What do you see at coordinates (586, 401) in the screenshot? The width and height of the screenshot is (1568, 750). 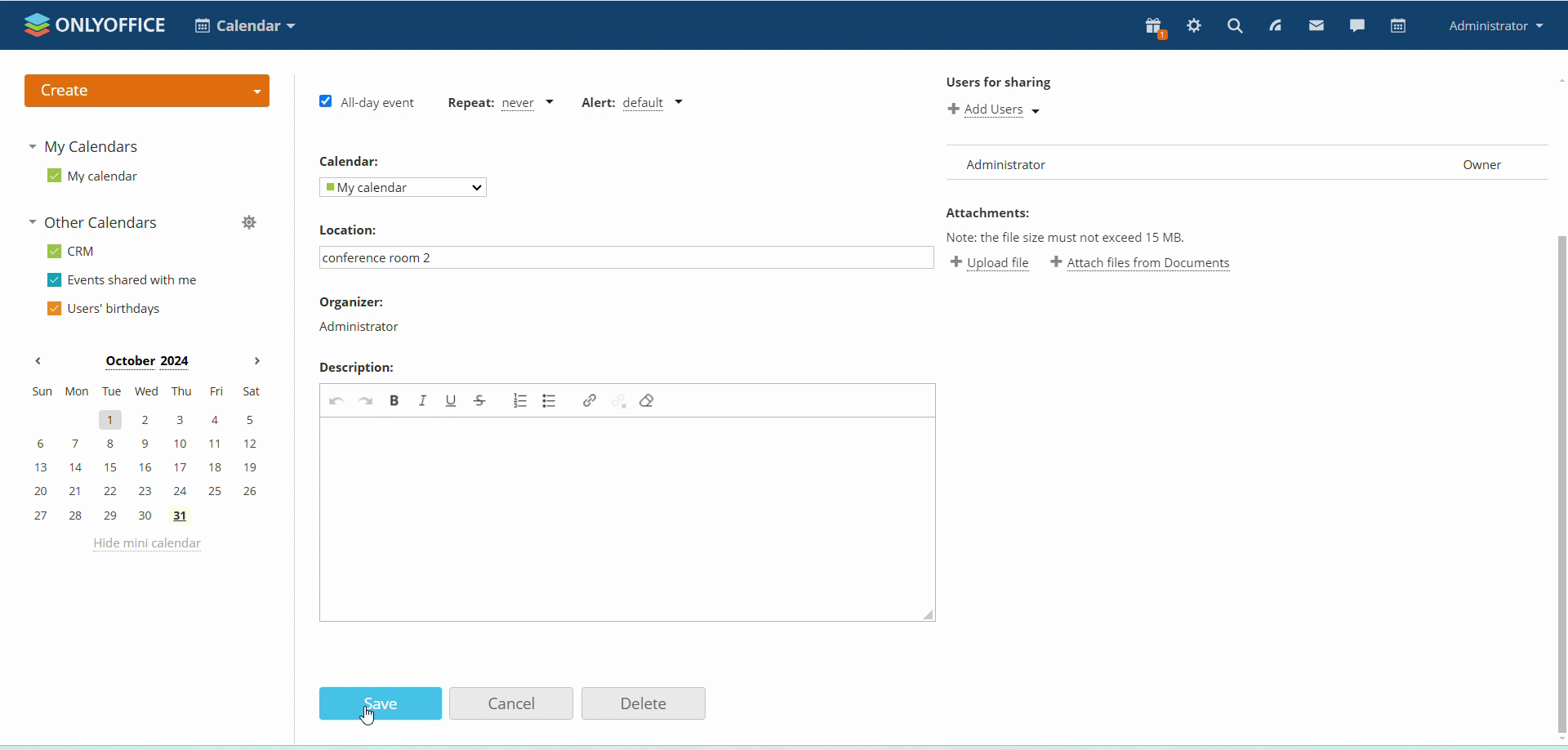 I see `link` at bounding box center [586, 401].